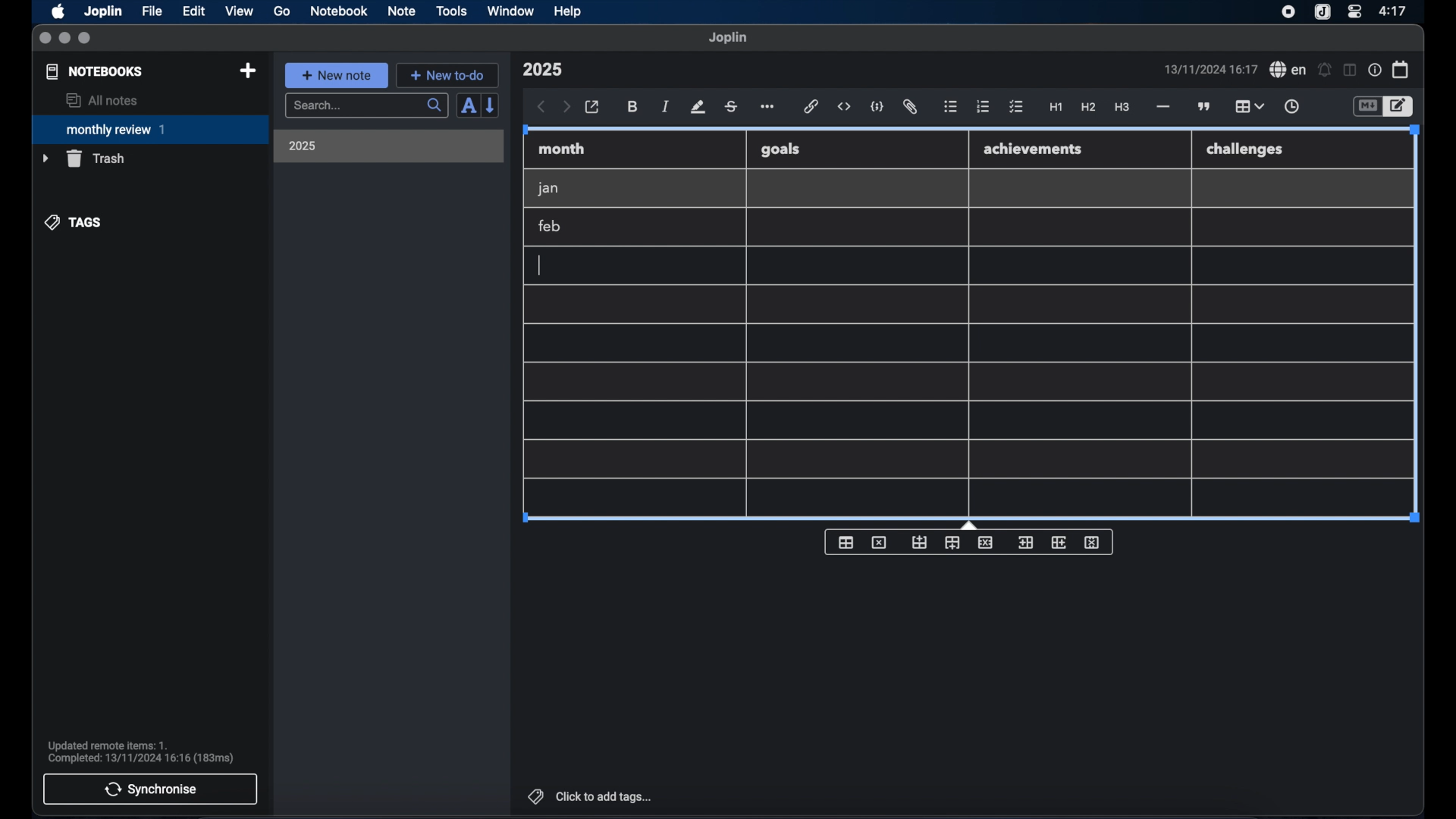 Image resolution: width=1456 pixels, height=819 pixels. I want to click on delete column, so click(1093, 543).